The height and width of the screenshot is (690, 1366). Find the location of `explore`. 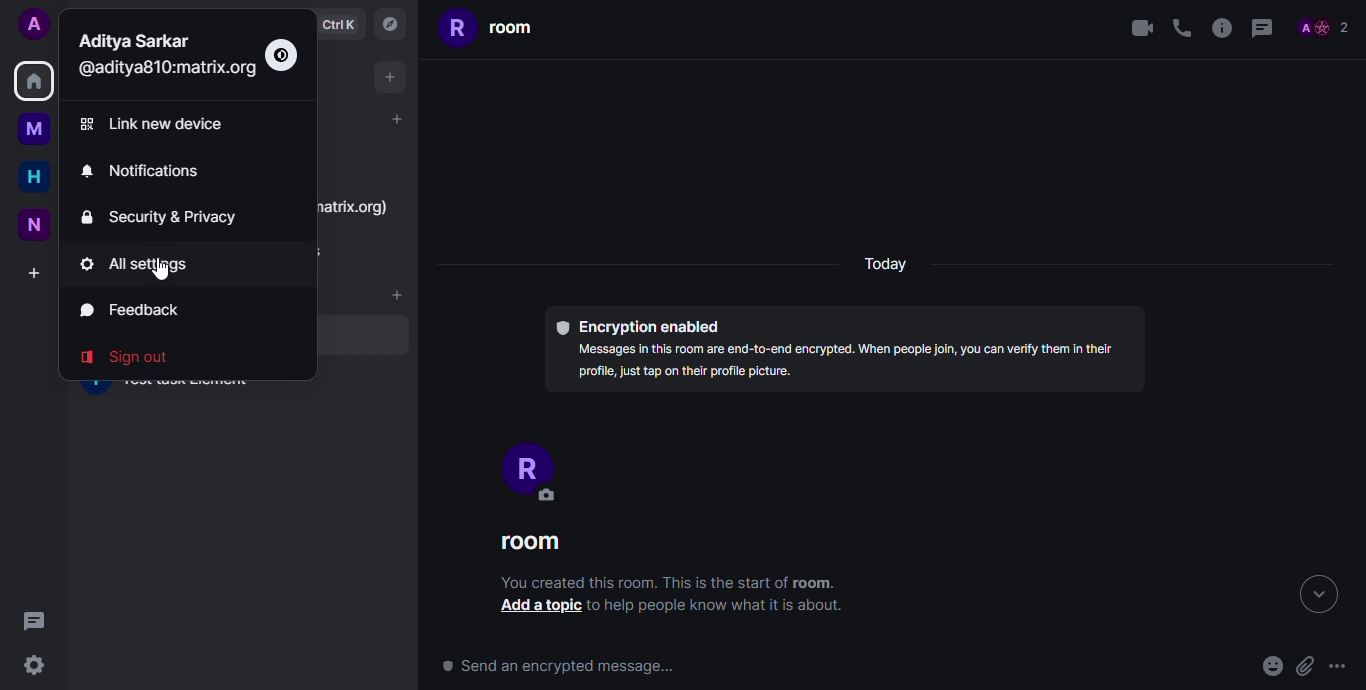

explore is located at coordinates (388, 23).